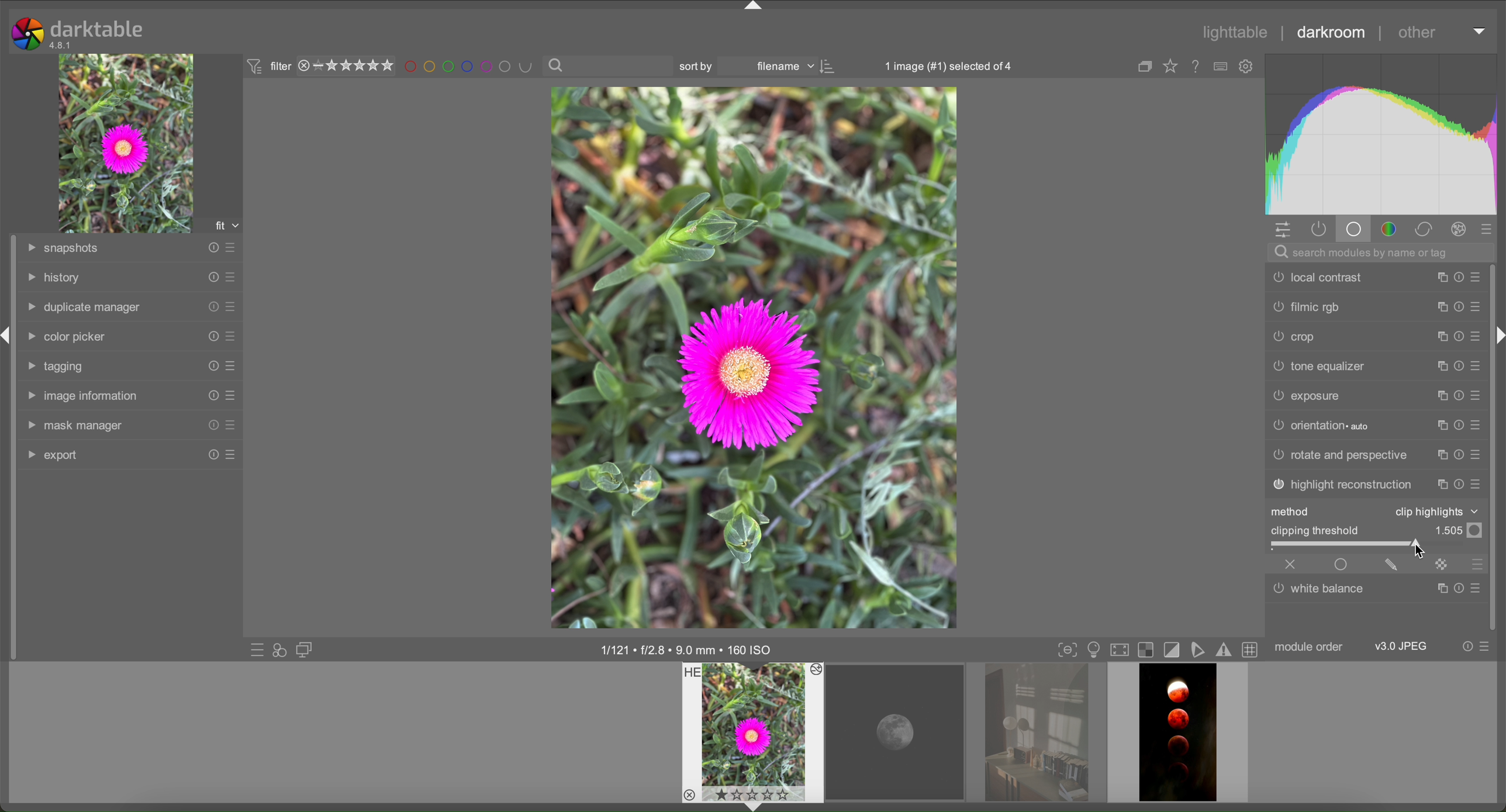 The height and width of the screenshot is (812, 1506). I want to click on copy, so click(1441, 589).